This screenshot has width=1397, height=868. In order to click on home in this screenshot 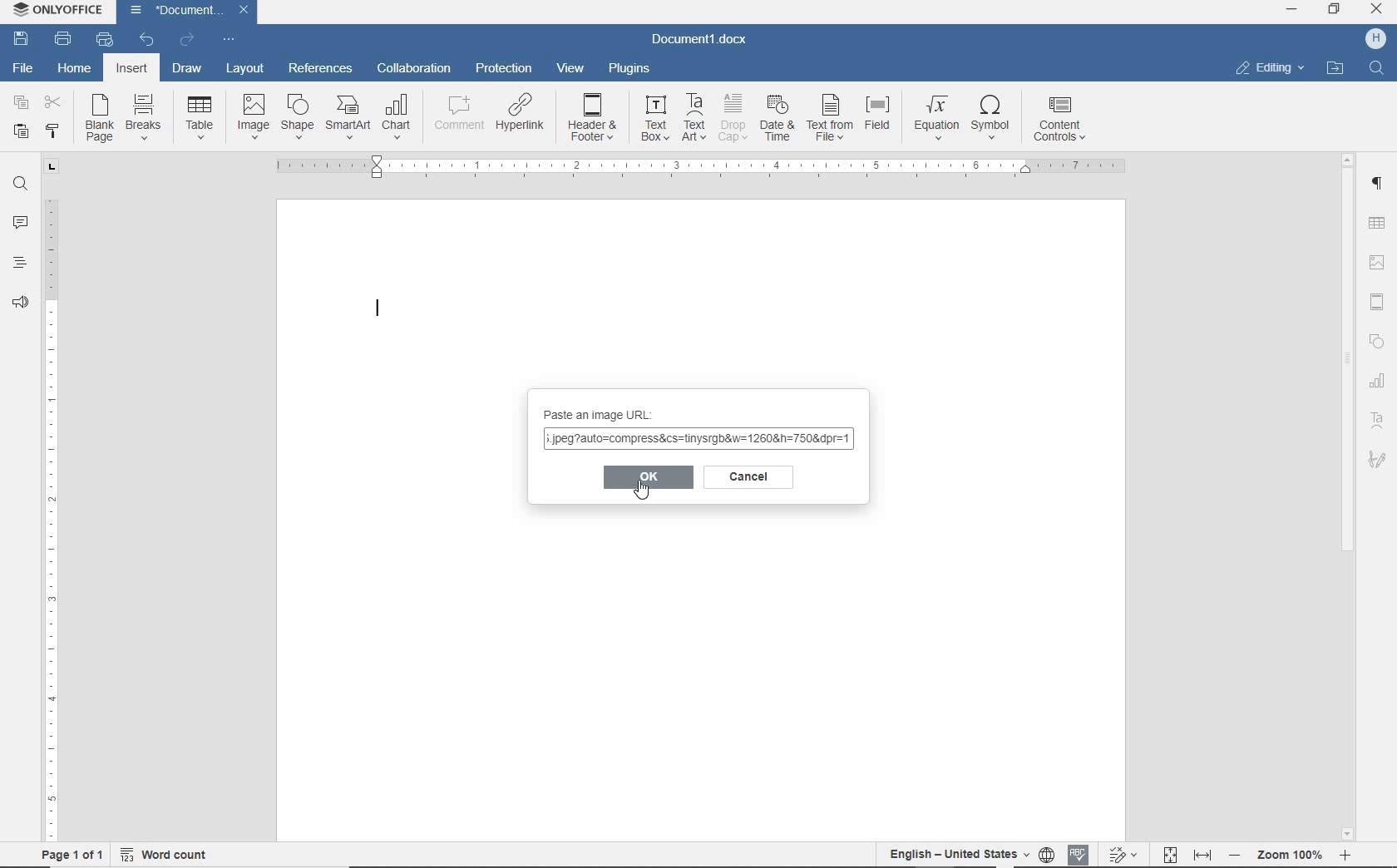, I will do `click(73, 72)`.